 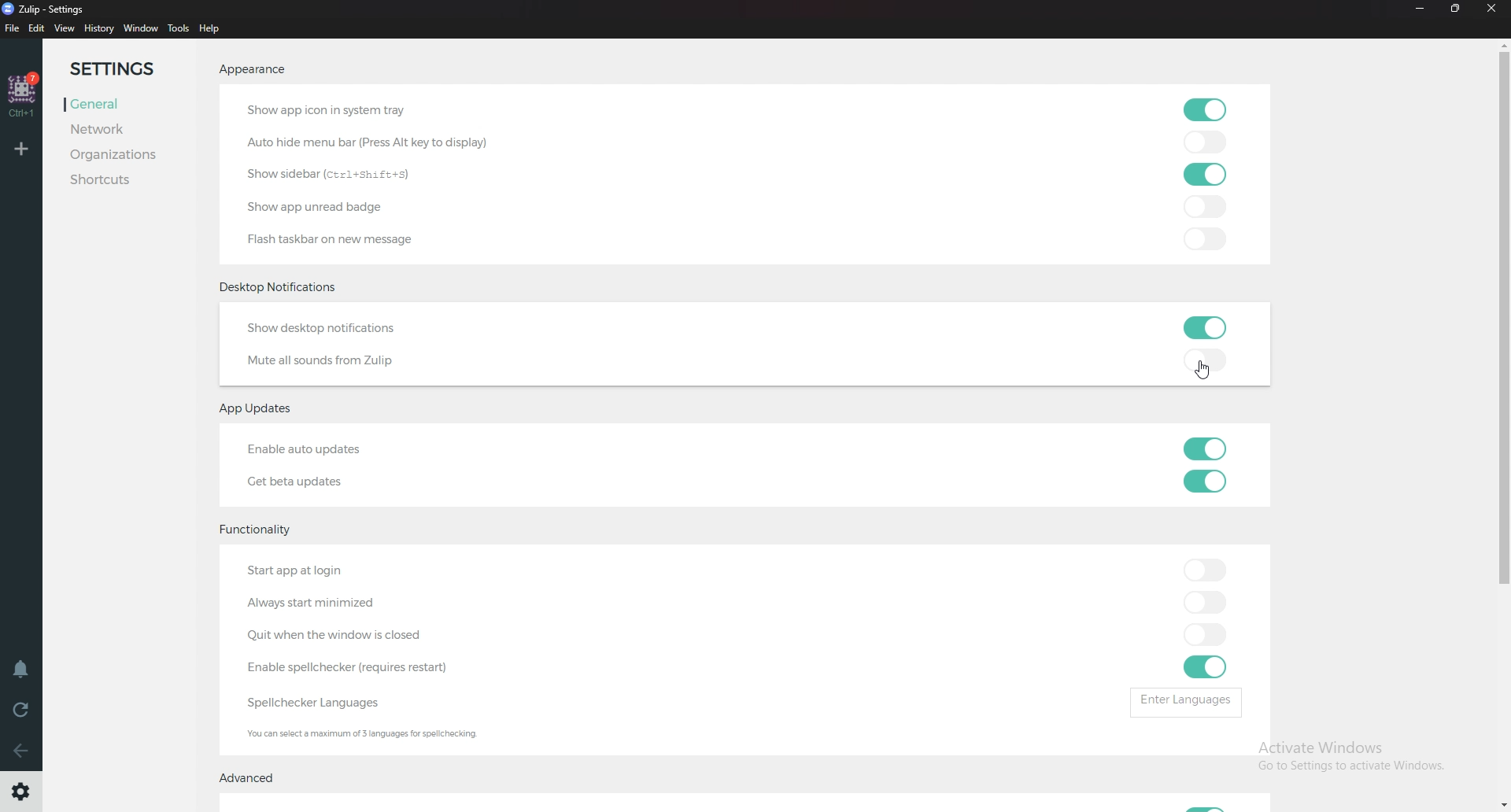 I want to click on App updates, so click(x=264, y=411).